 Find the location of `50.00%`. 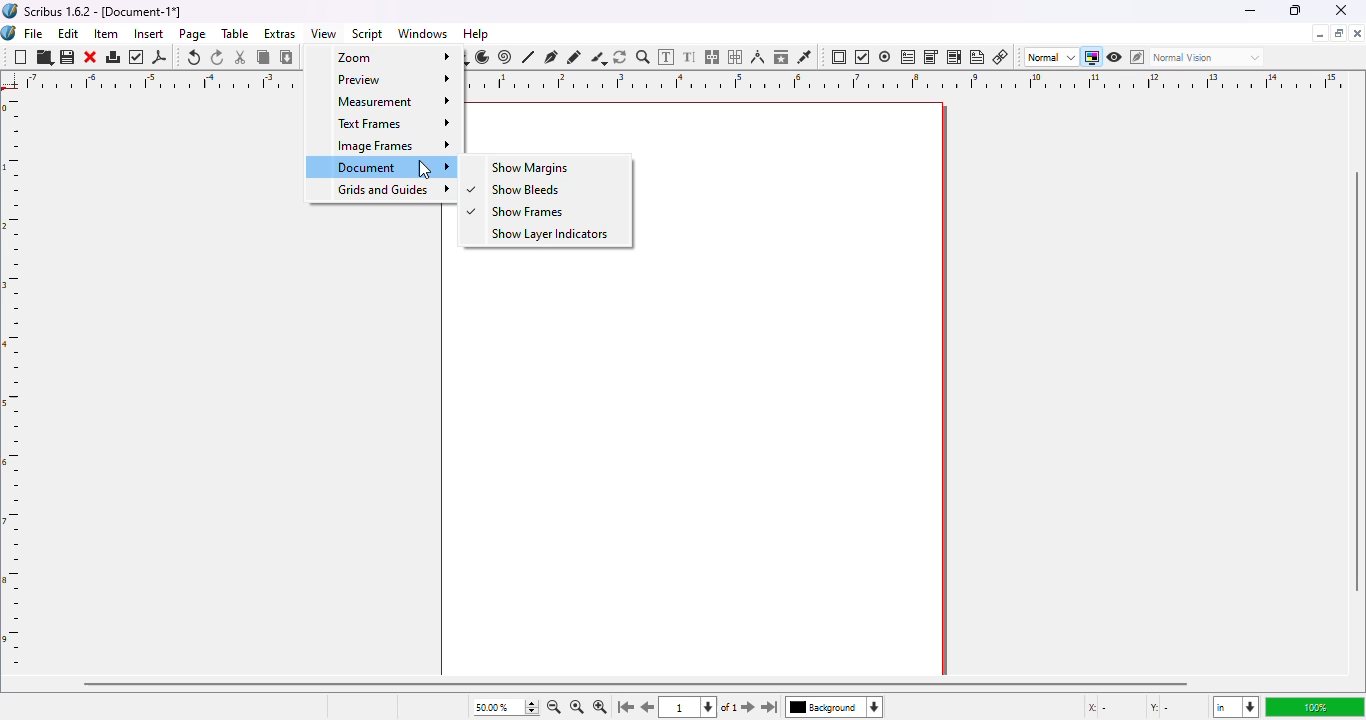

50.00% is located at coordinates (487, 707).